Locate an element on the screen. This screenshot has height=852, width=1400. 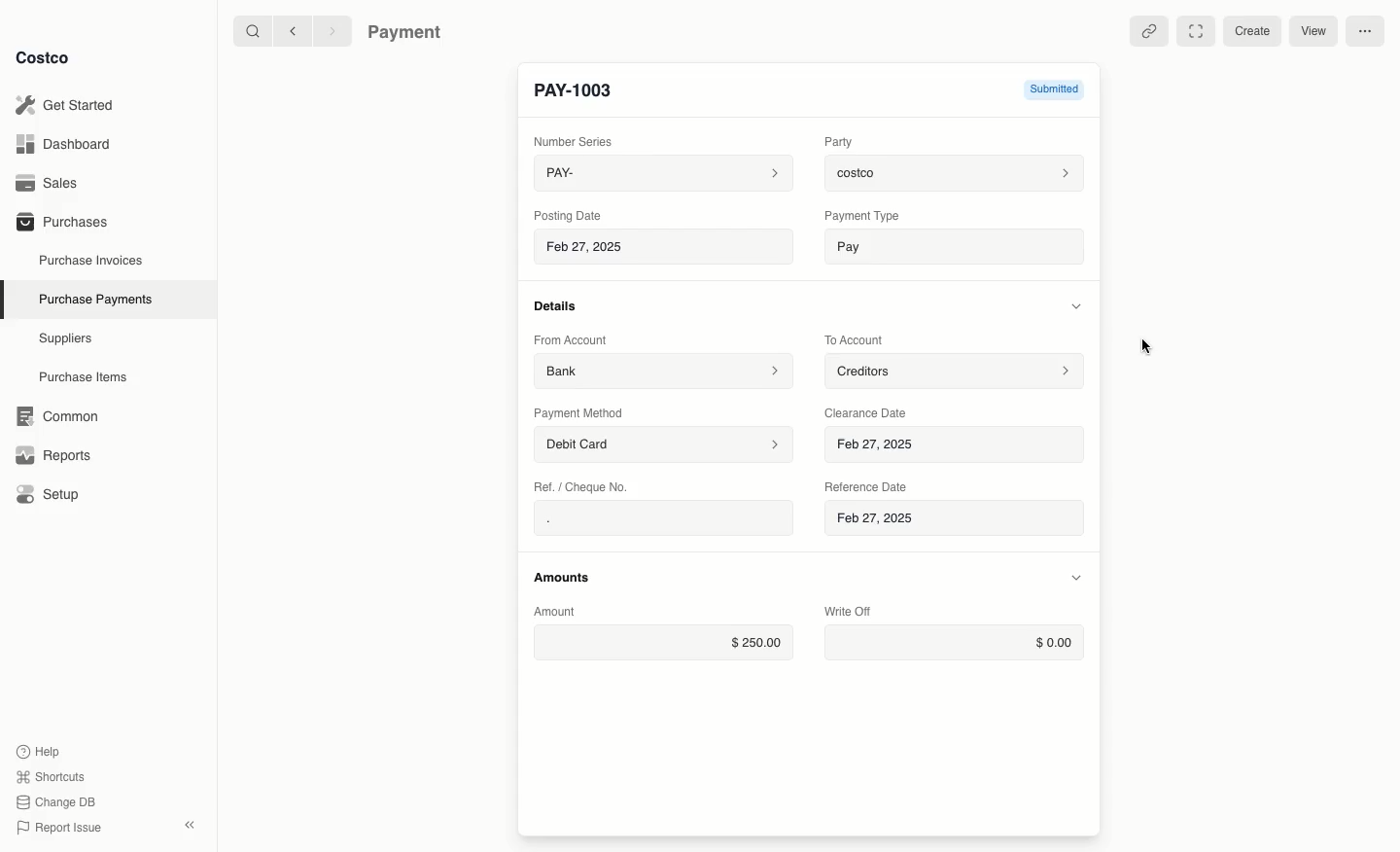
Ret. / Cheque No. is located at coordinates (583, 485).